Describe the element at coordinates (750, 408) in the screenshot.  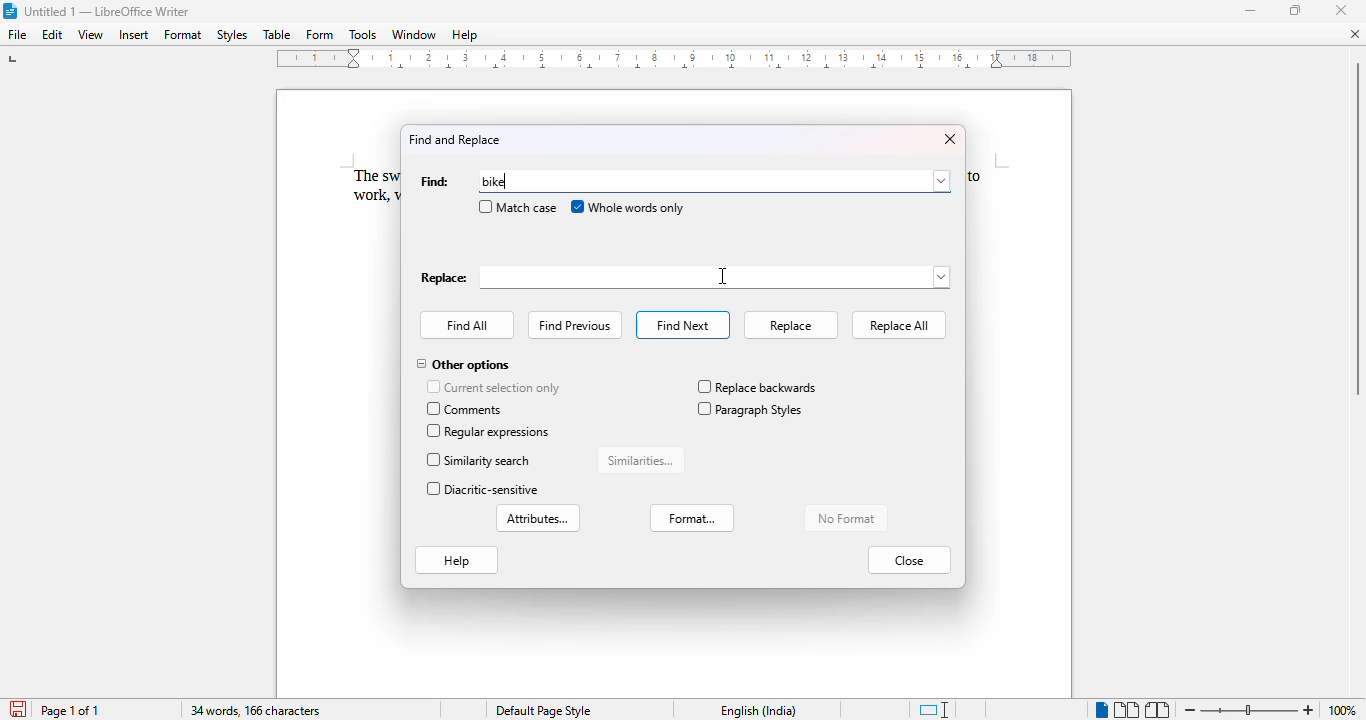
I see `paragraph styles` at that location.